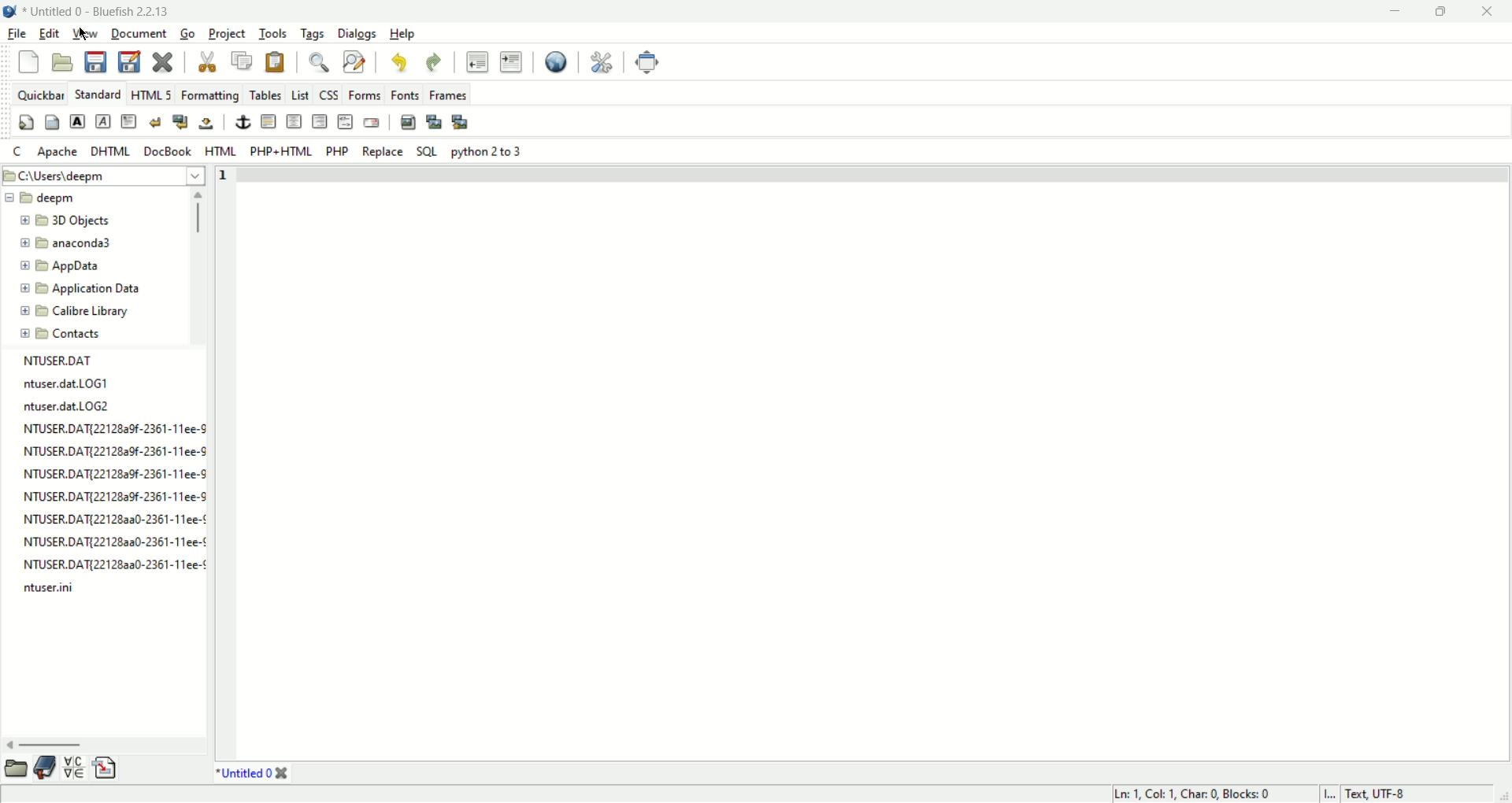 Image resolution: width=1512 pixels, height=803 pixels. What do you see at coordinates (315, 33) in the screenshot?
I see `tags` at bounding box center [315, 33].